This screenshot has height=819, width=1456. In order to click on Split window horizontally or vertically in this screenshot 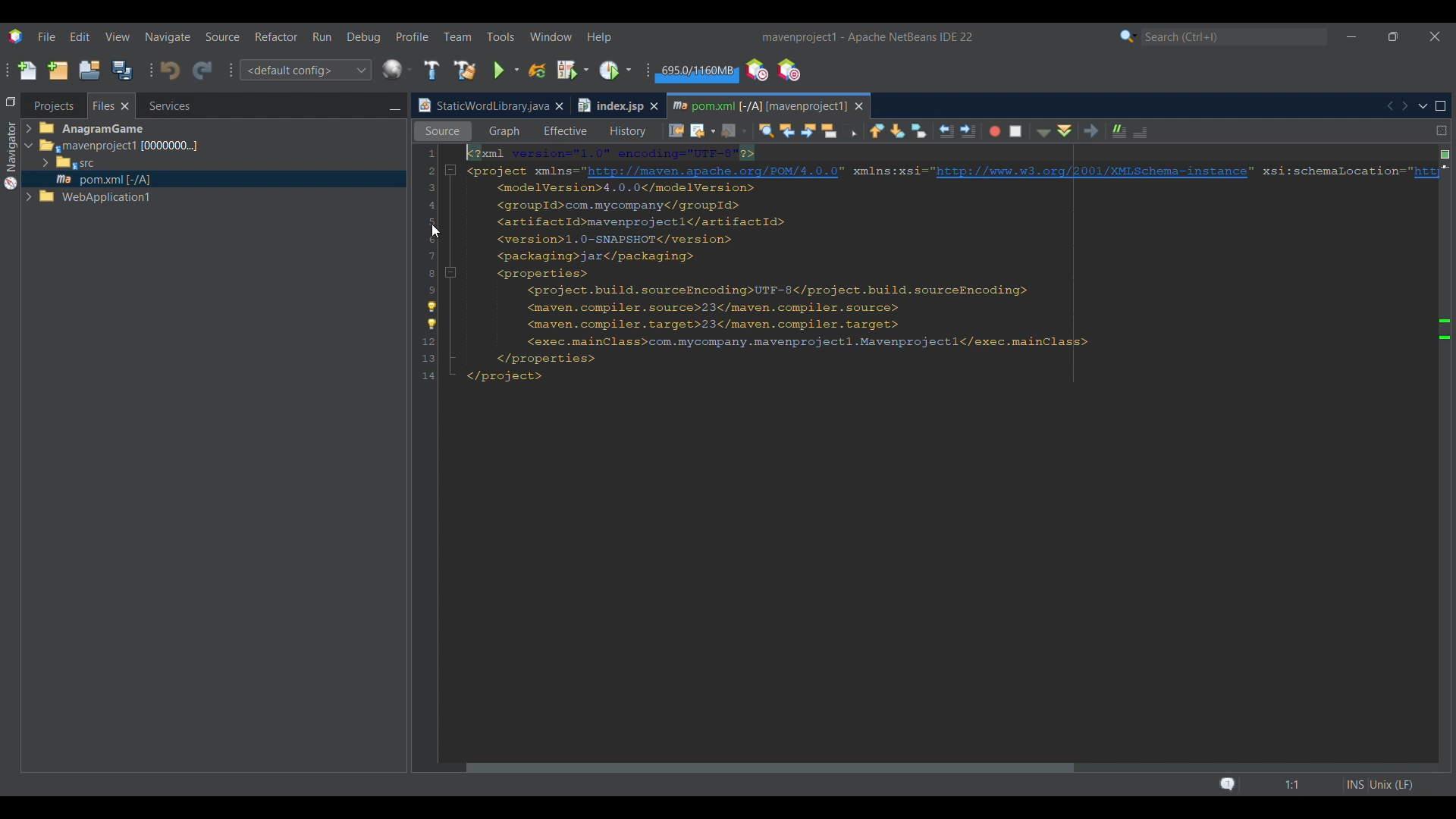, I will do `click(1442, 130)`.